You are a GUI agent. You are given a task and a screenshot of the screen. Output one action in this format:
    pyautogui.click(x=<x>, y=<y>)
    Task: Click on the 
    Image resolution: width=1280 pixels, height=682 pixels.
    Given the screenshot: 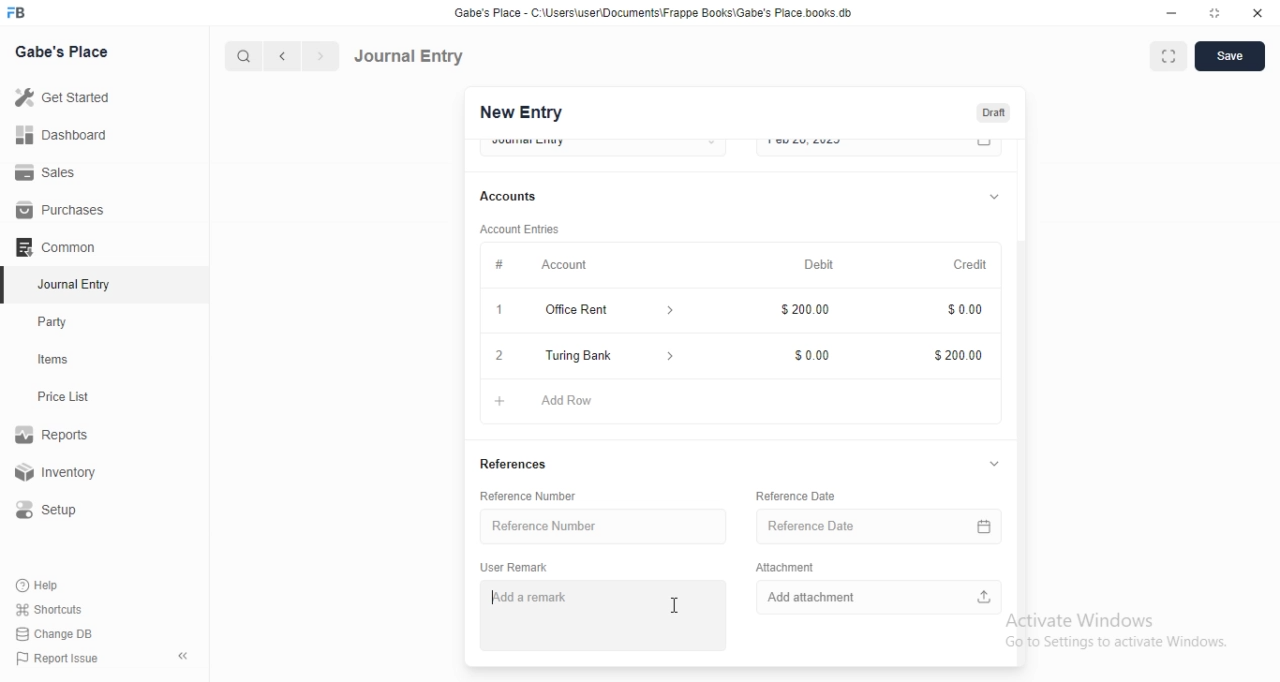 What is the action you would take?
    pyautogui.click(x=959, y=309)
    